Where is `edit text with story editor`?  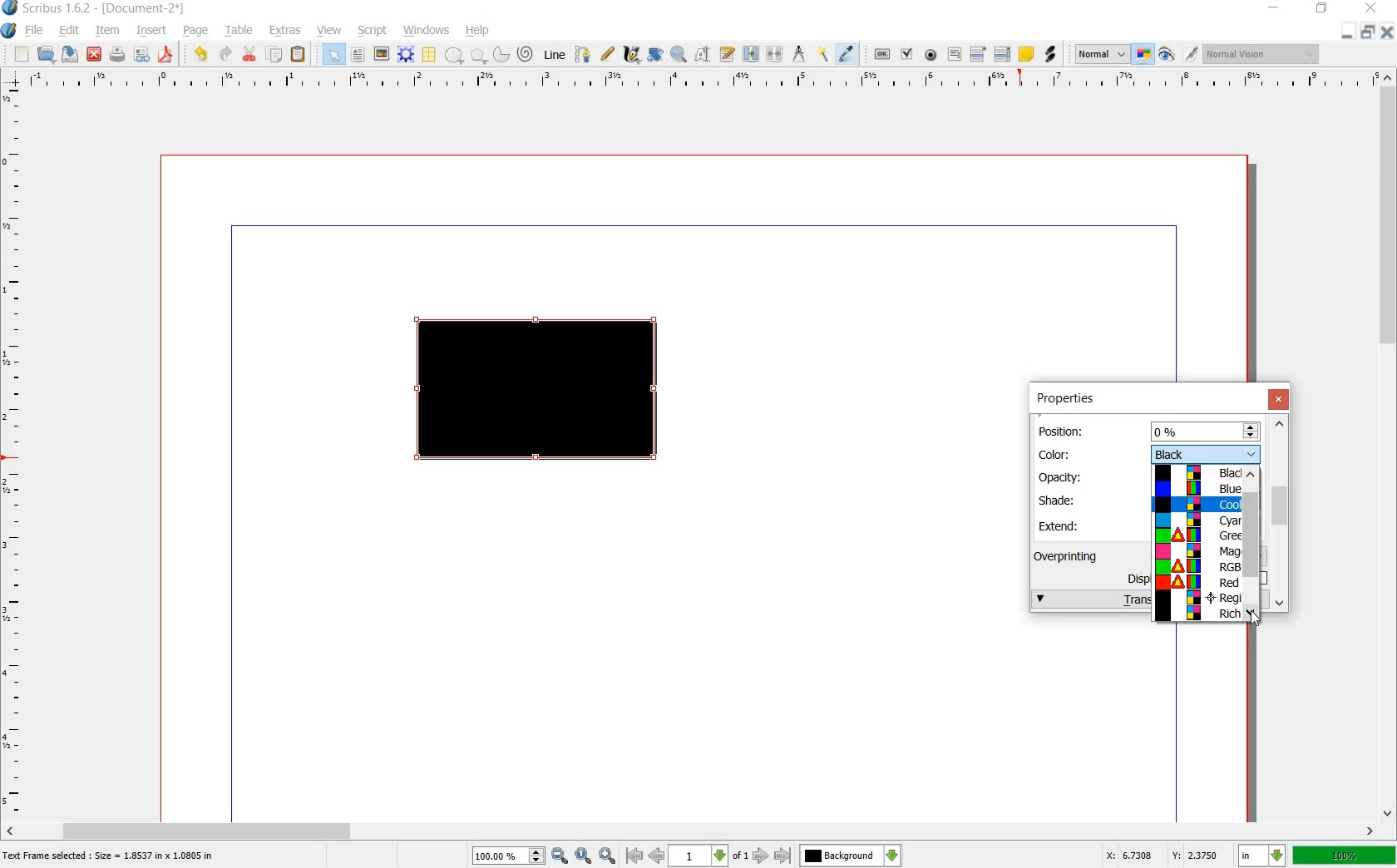
edit text with story editor is located at coordinates (726, 54).